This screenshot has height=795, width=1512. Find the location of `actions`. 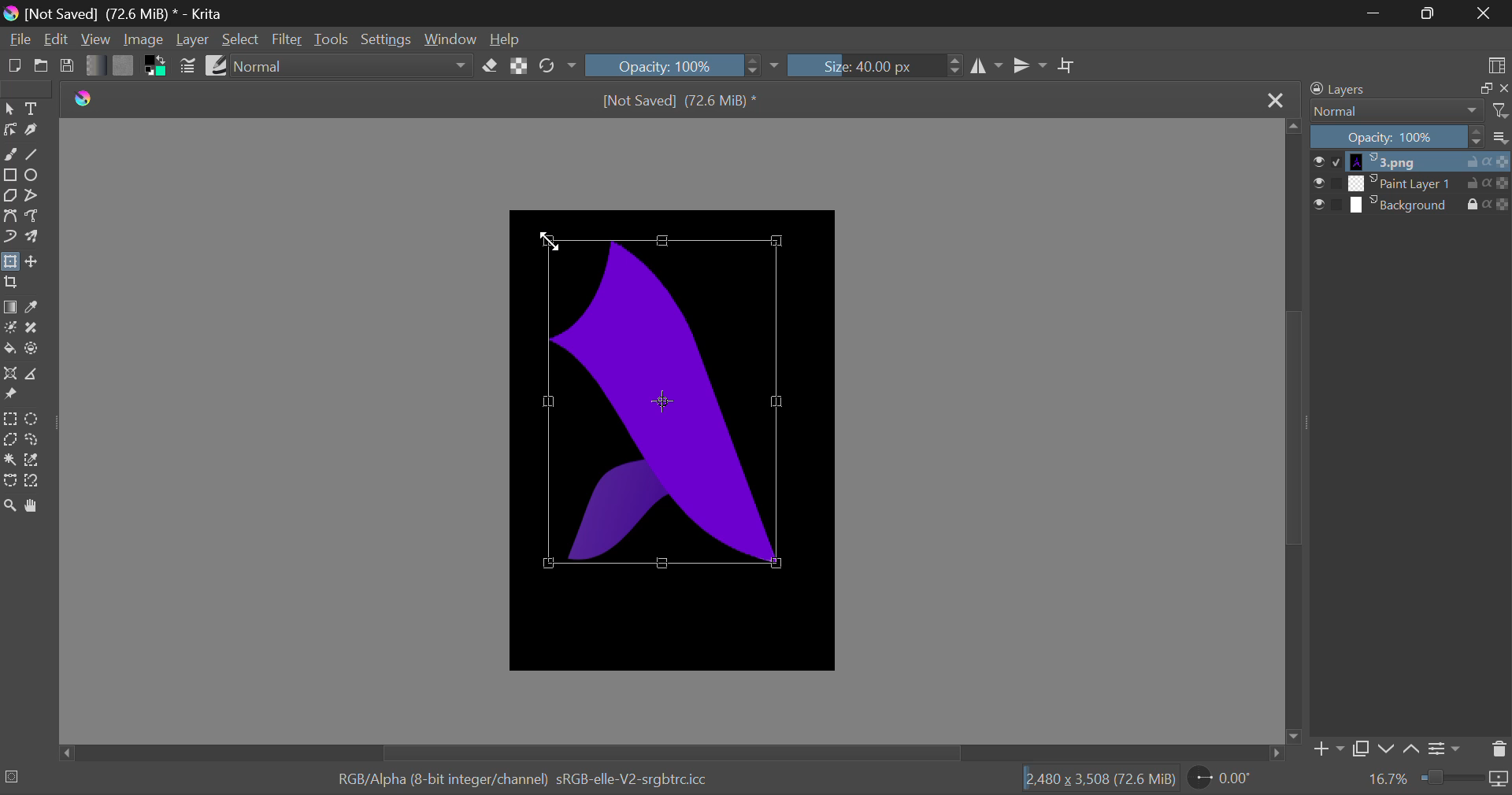

actions is located at coordinates (1488, 162).